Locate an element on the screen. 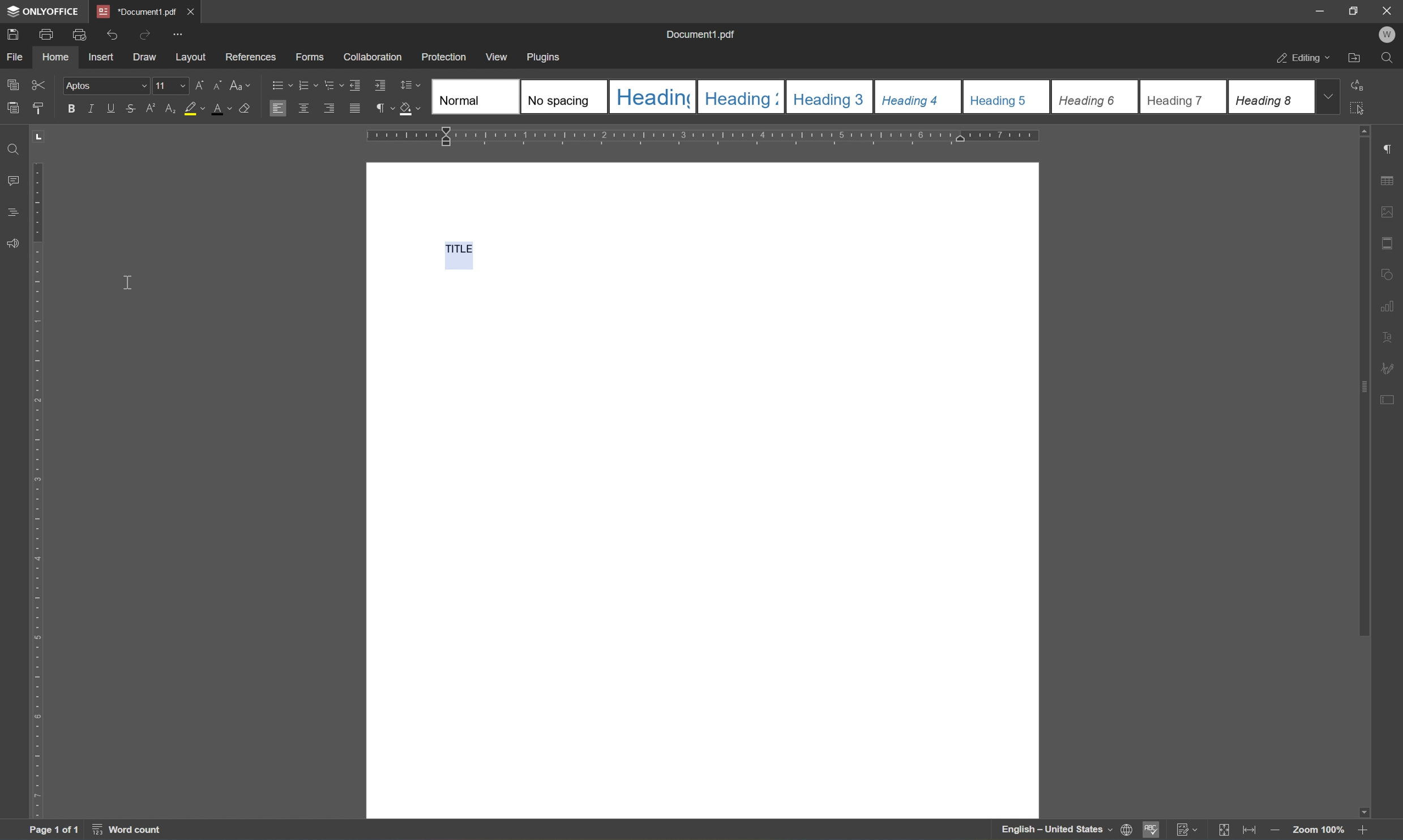 This screenshot has width=1403, height=840. print is located at coordinates (48, 35).